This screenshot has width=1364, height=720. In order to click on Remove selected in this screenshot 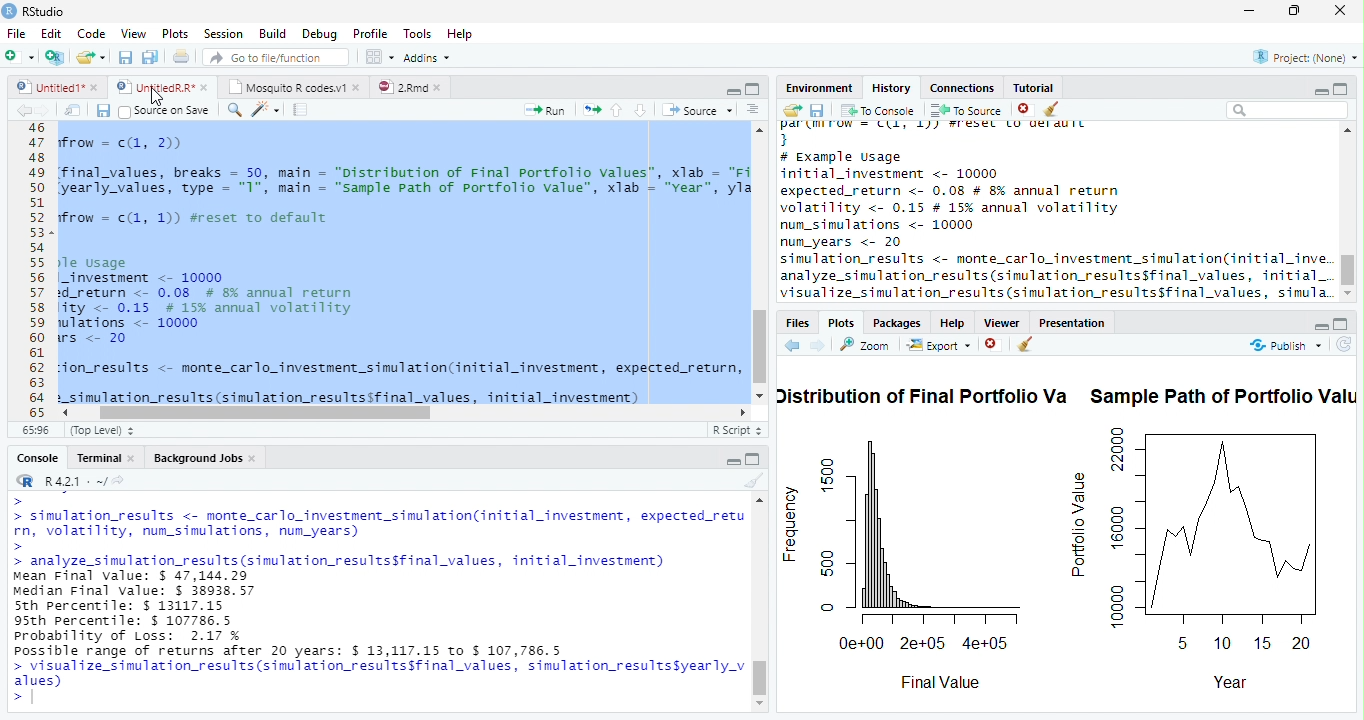, I will do `click(995, 345)`.